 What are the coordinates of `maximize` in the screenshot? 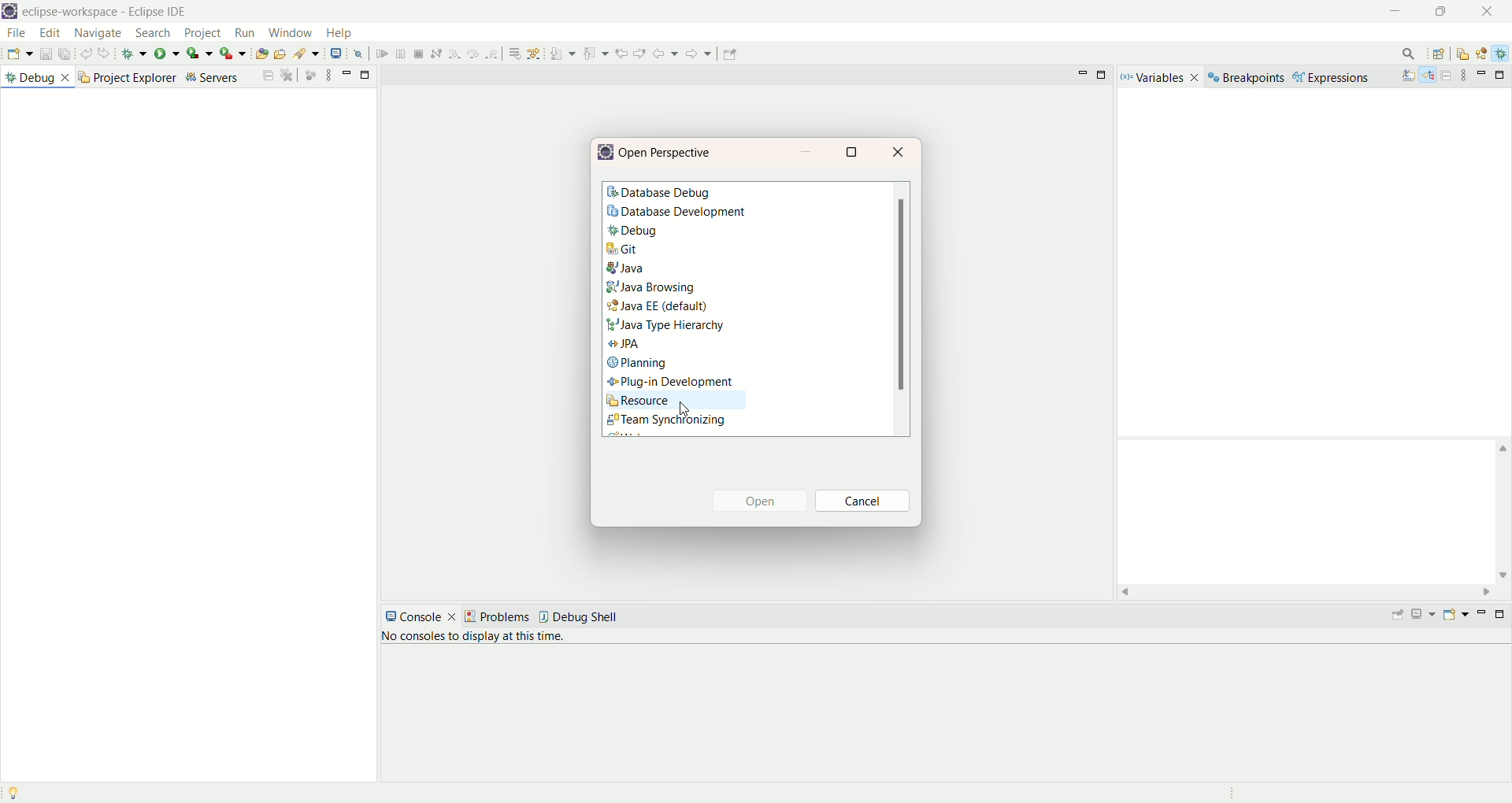 It's located at (1503, 617).